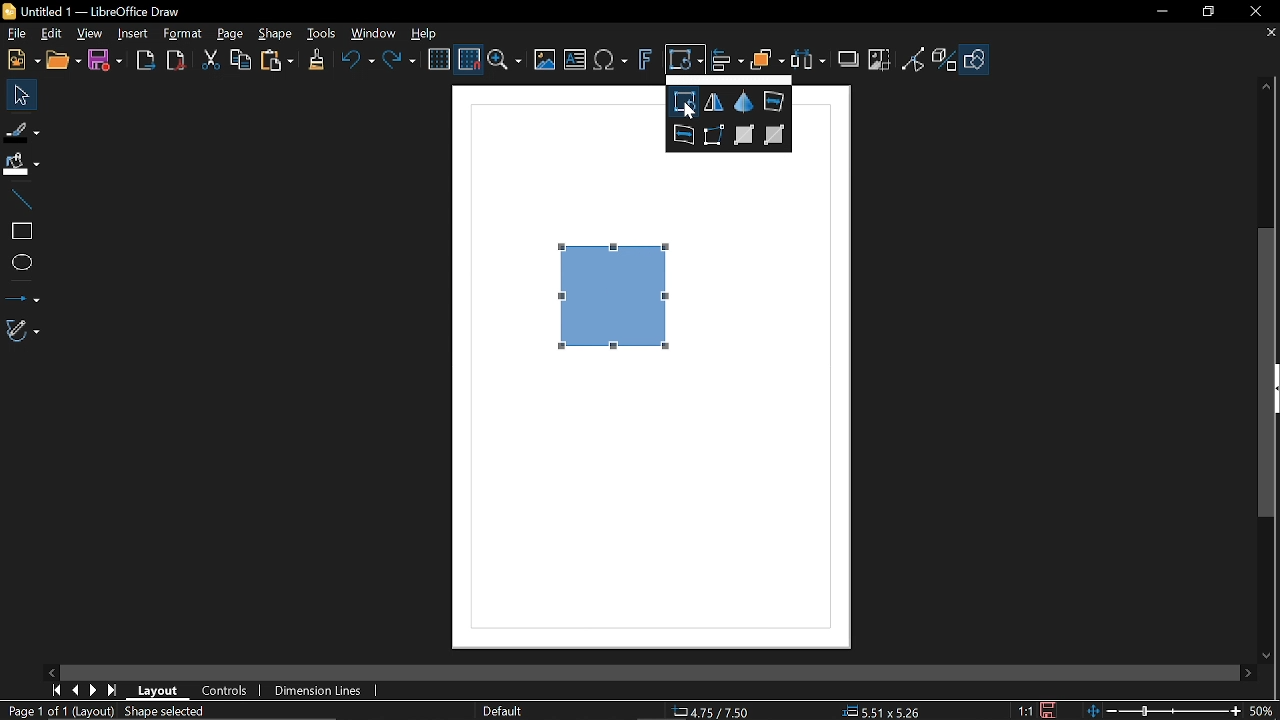 The image size is (1280, 720). What do you see at coordinates (914, 59) in the screenshot?
I see `Toggle ` at bounding box center [914, 59].